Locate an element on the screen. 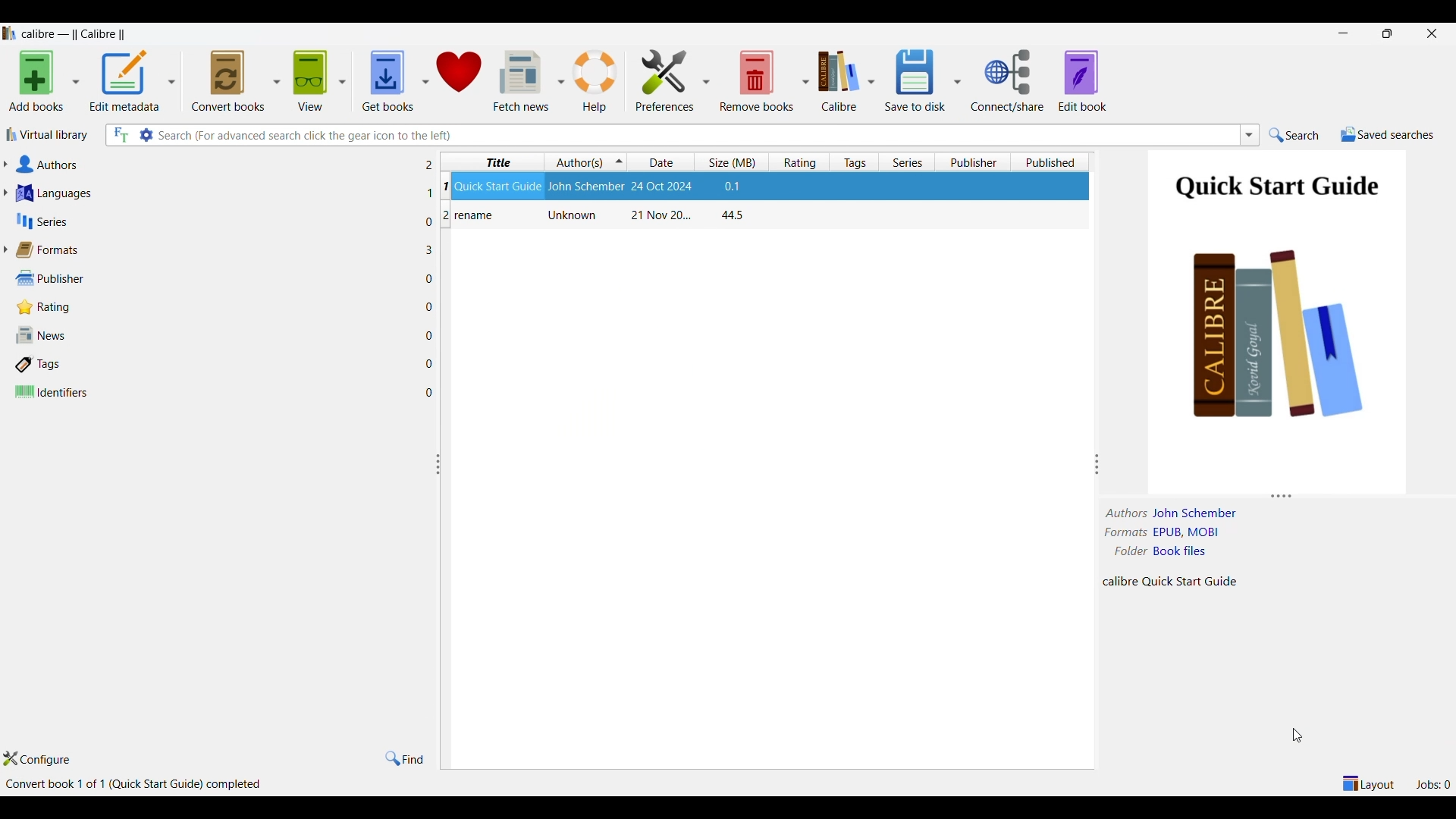 This screenshot has height=819, width=1456. Calibre is located at coordinates (838, 81).